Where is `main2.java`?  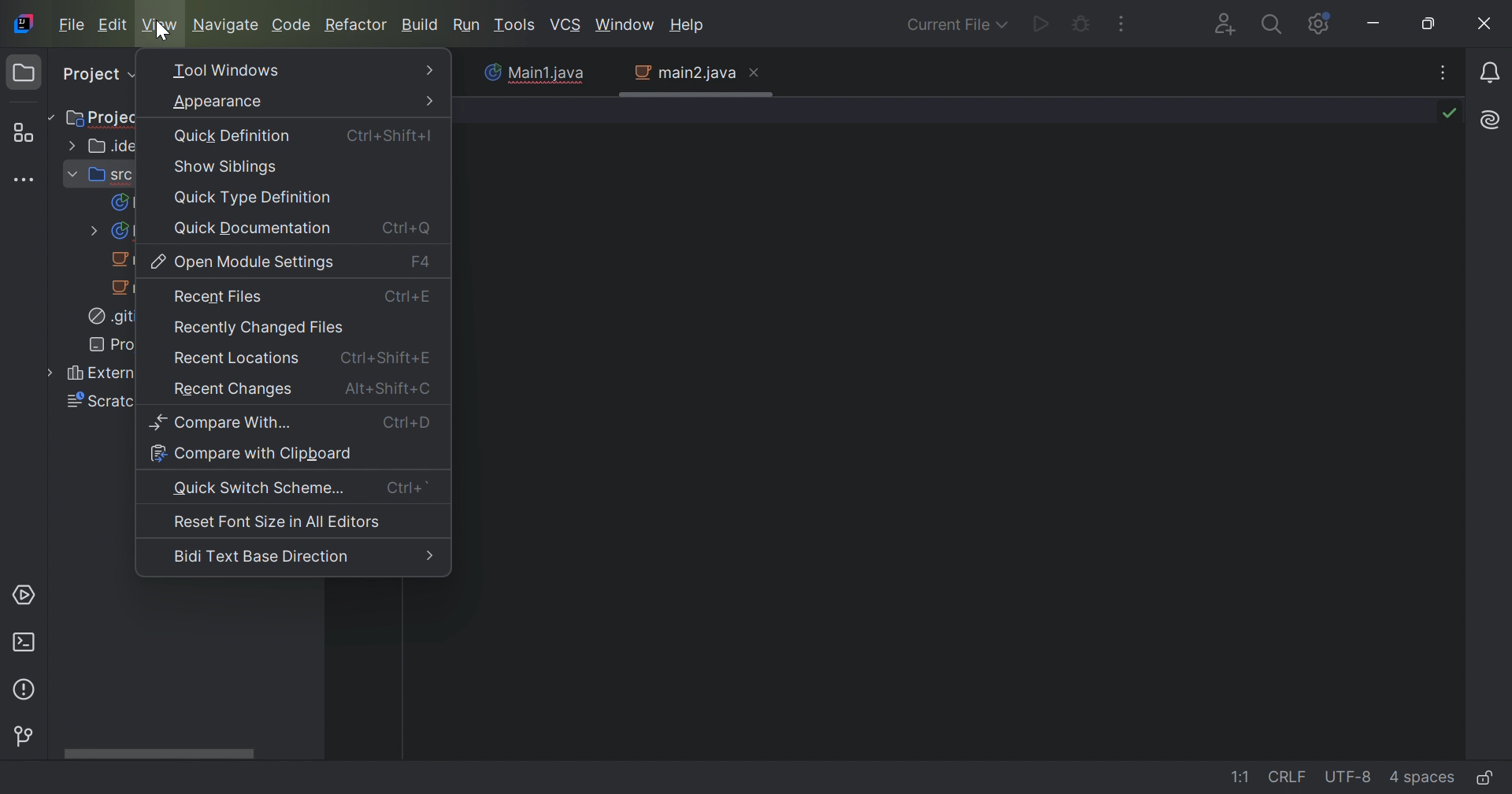 main2.java is located at coordinates (123, 260).